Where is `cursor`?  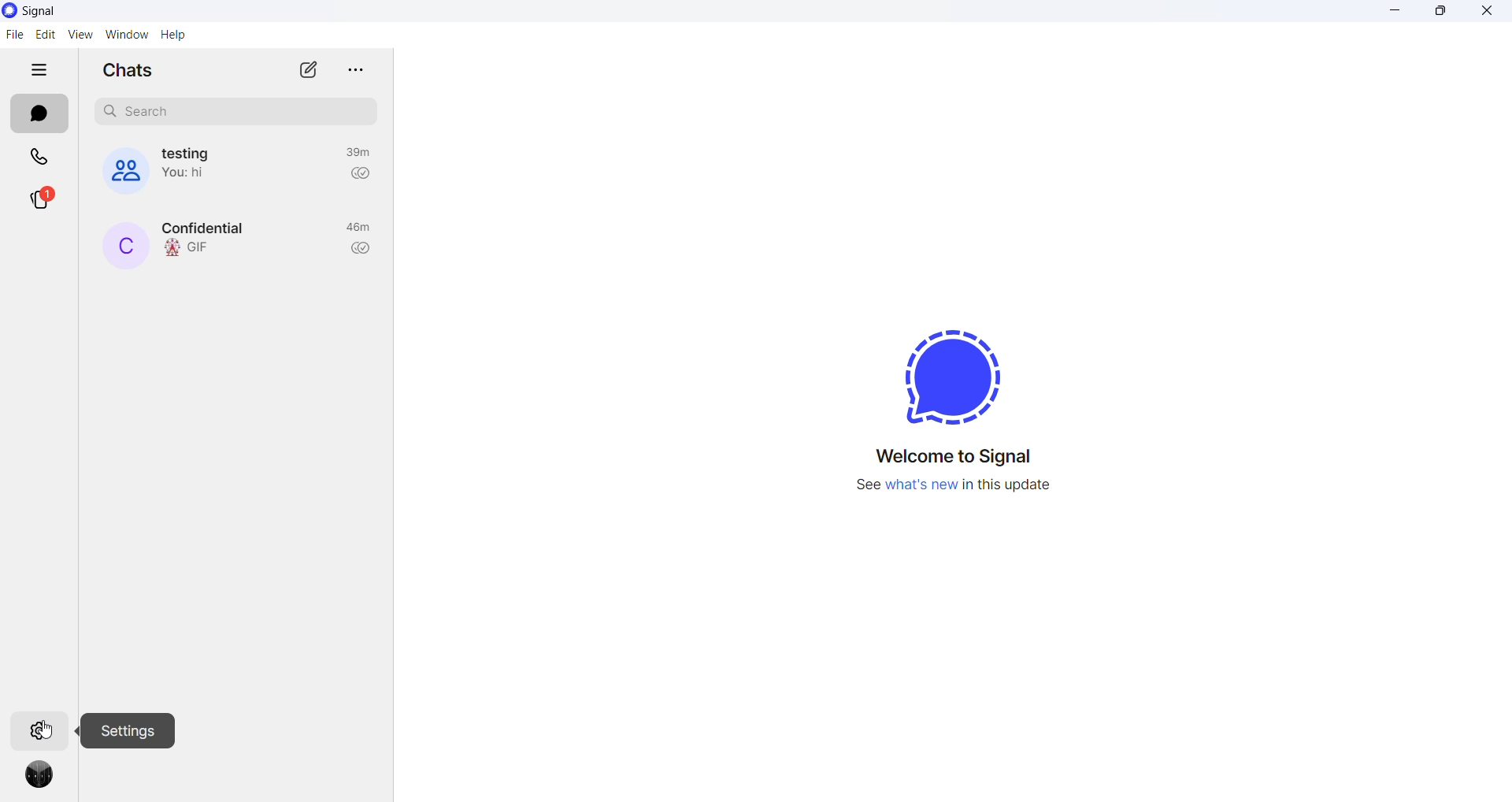 cursor is located at coordinates (51, 727).